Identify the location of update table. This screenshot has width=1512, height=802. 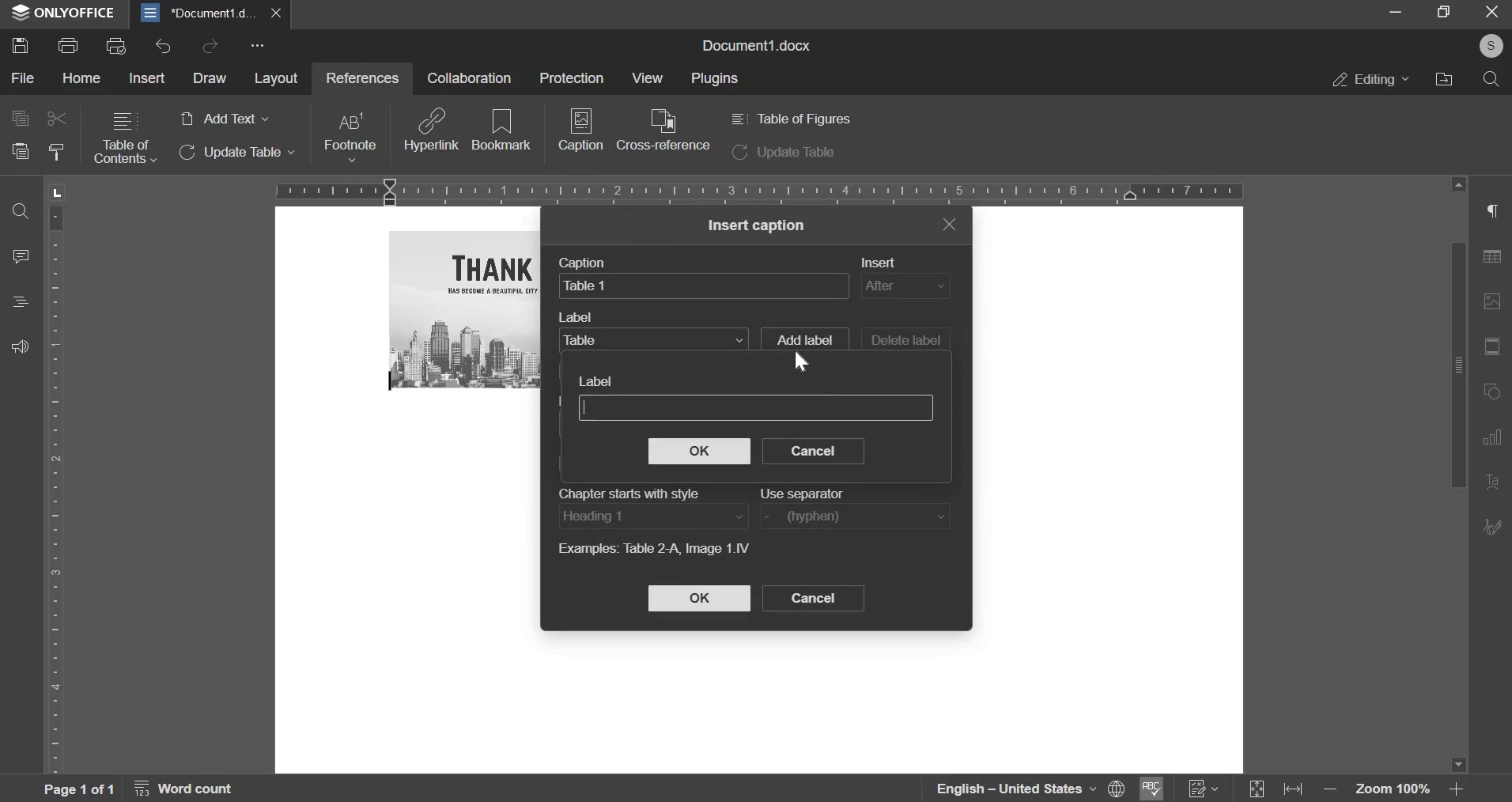
(238, 153).